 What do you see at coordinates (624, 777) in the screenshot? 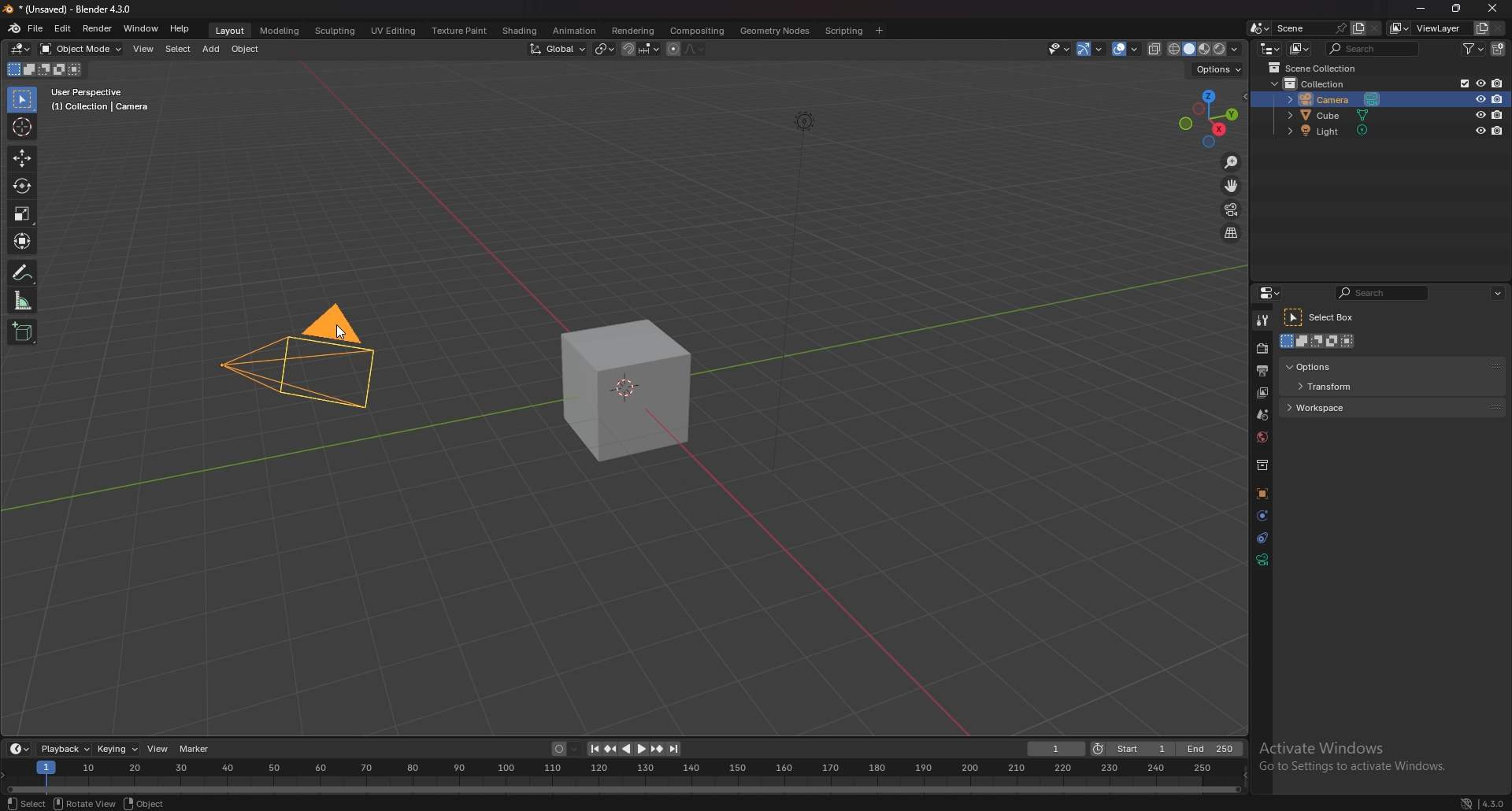
I see `seek` at bounding box center [624, 777].